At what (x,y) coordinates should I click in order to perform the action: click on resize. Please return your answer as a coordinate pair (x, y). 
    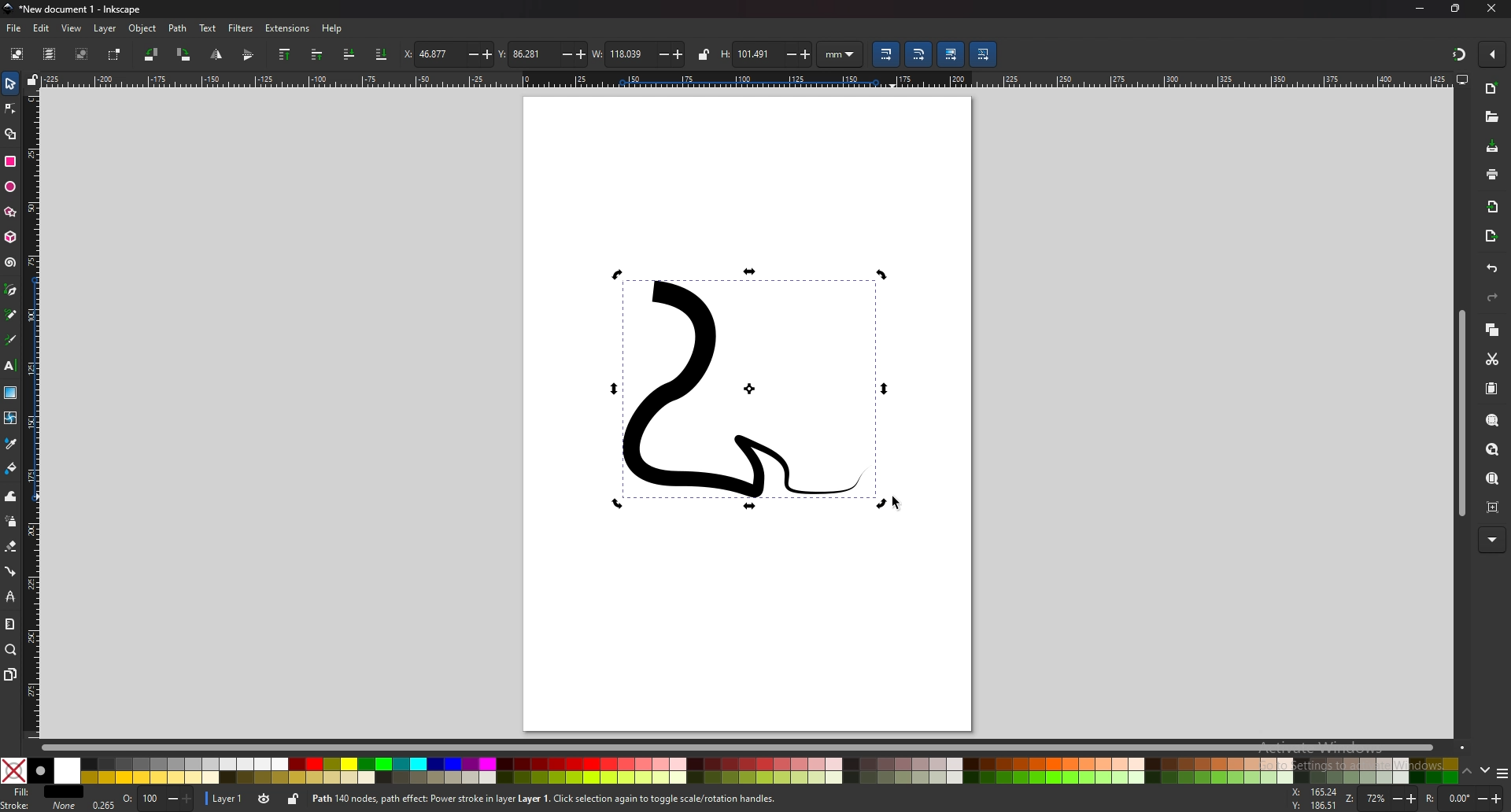
    Looking at the image, I should click on (1457, 9).